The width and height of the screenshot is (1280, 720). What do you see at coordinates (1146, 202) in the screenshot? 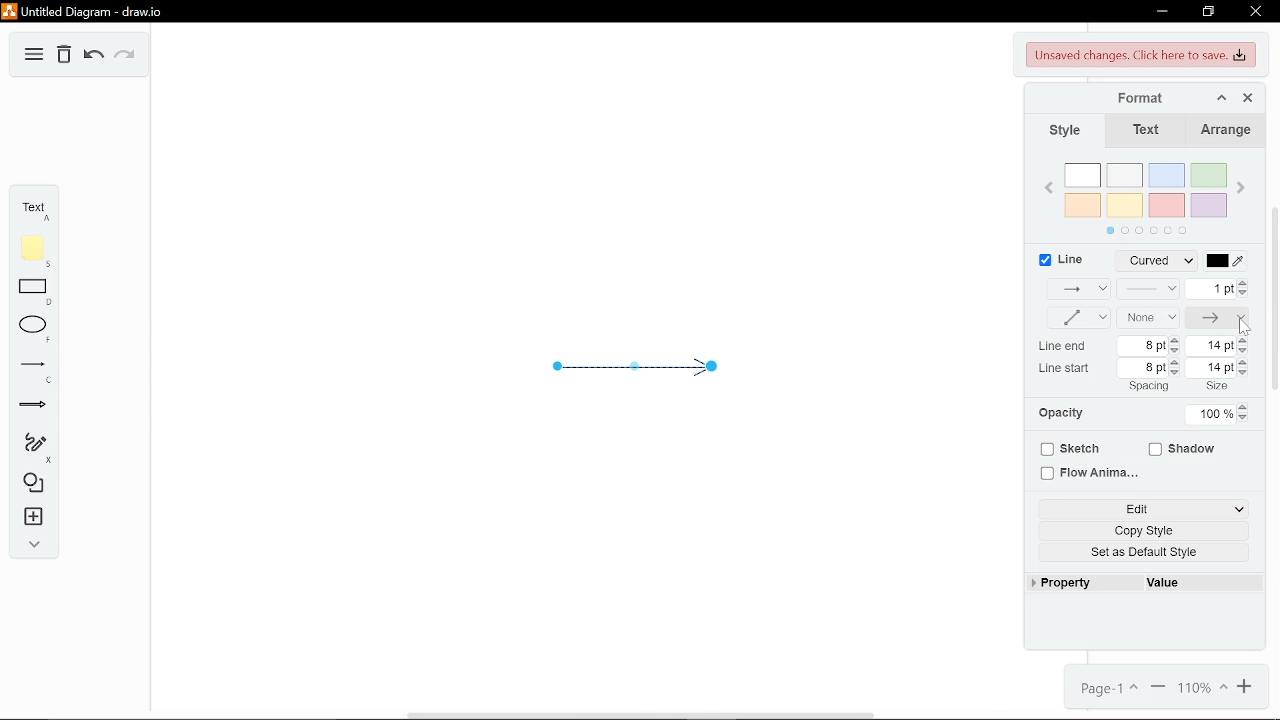
I see `Colors Pallet` at bounding box center [1146, 202].